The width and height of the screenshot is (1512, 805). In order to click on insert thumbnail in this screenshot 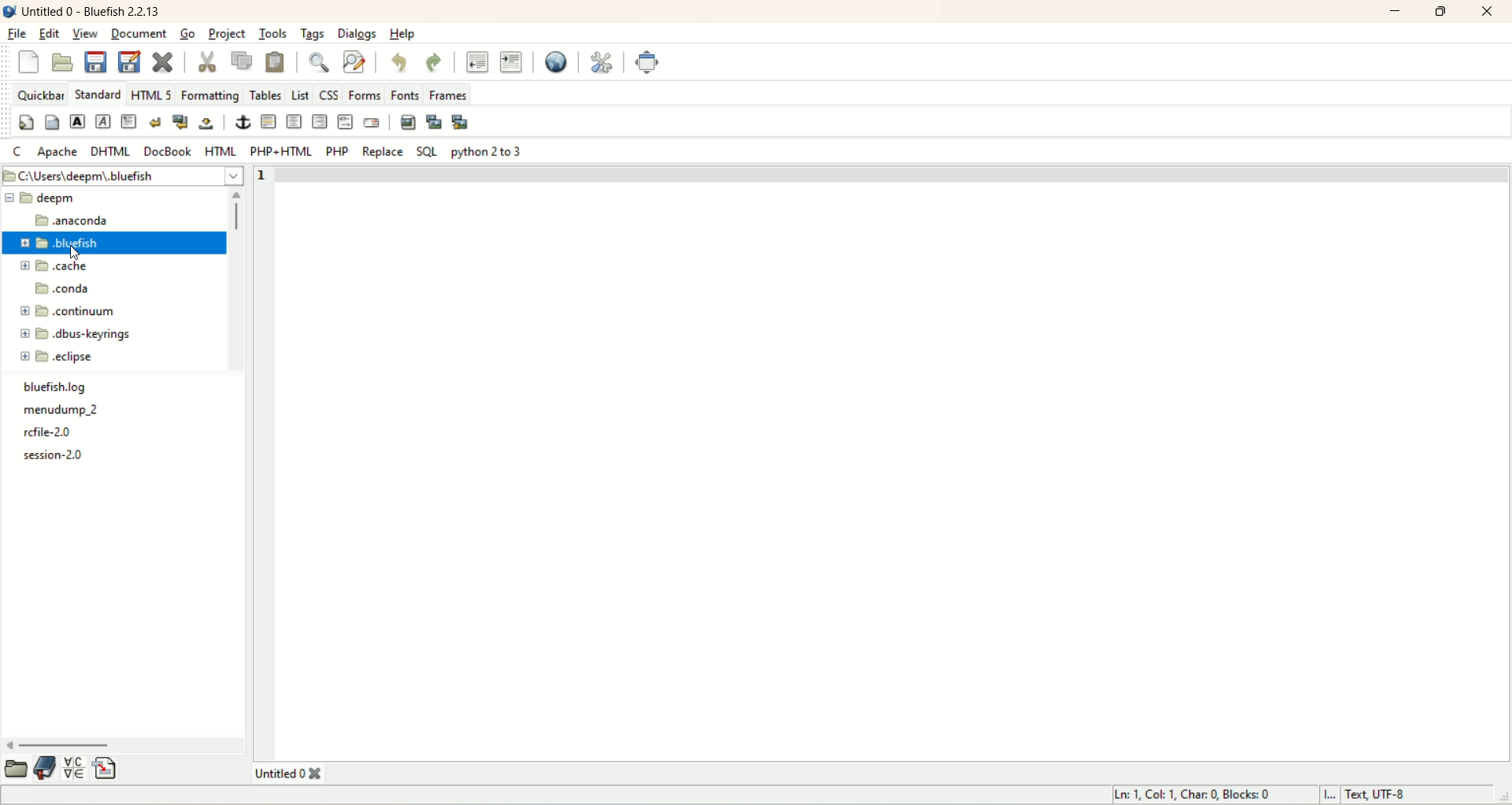, I will do `click(435, 121)`.